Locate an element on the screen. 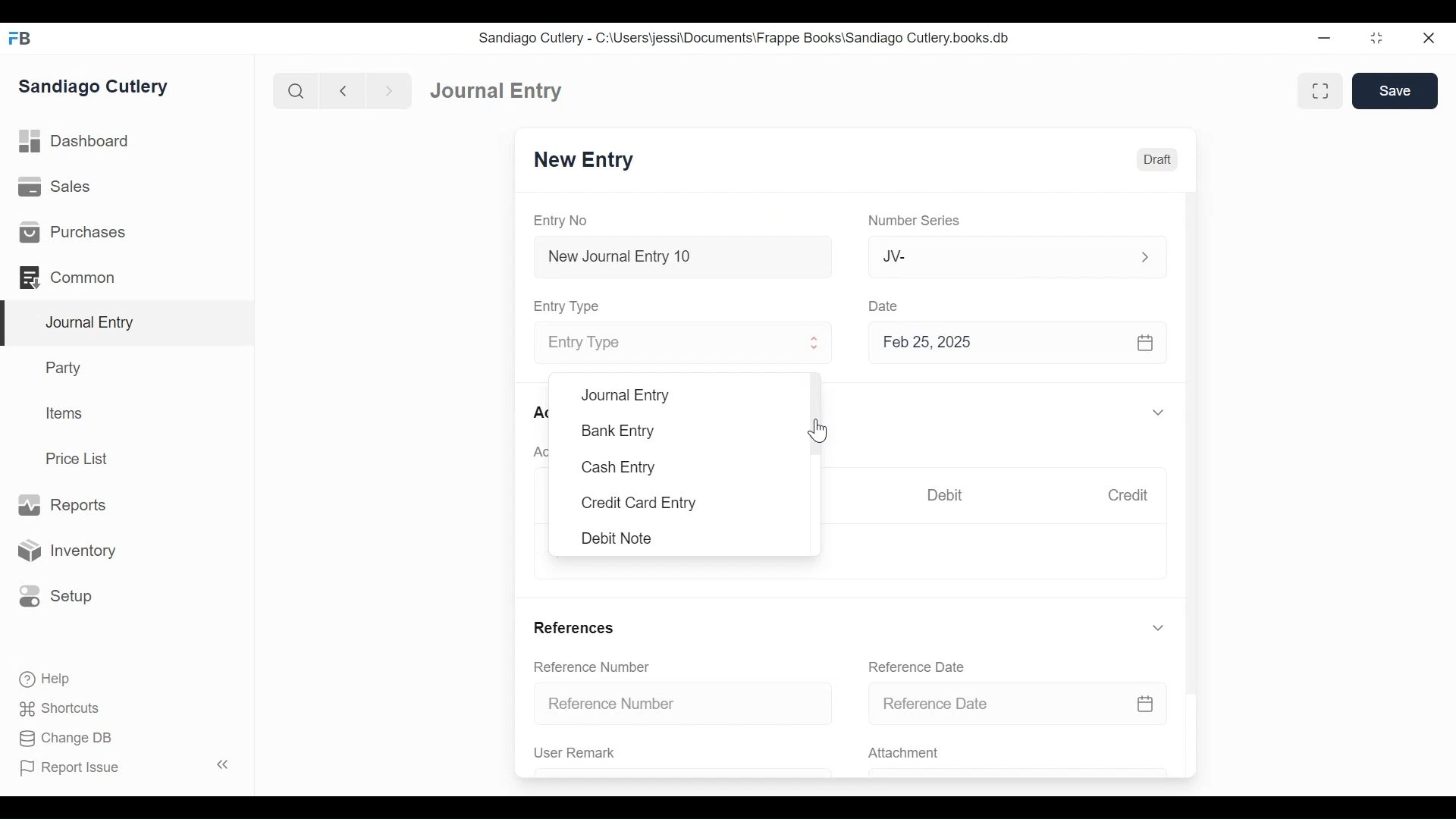 This screenshot has width=1456, height=819. Purchases is located at coordinates (73, 233).